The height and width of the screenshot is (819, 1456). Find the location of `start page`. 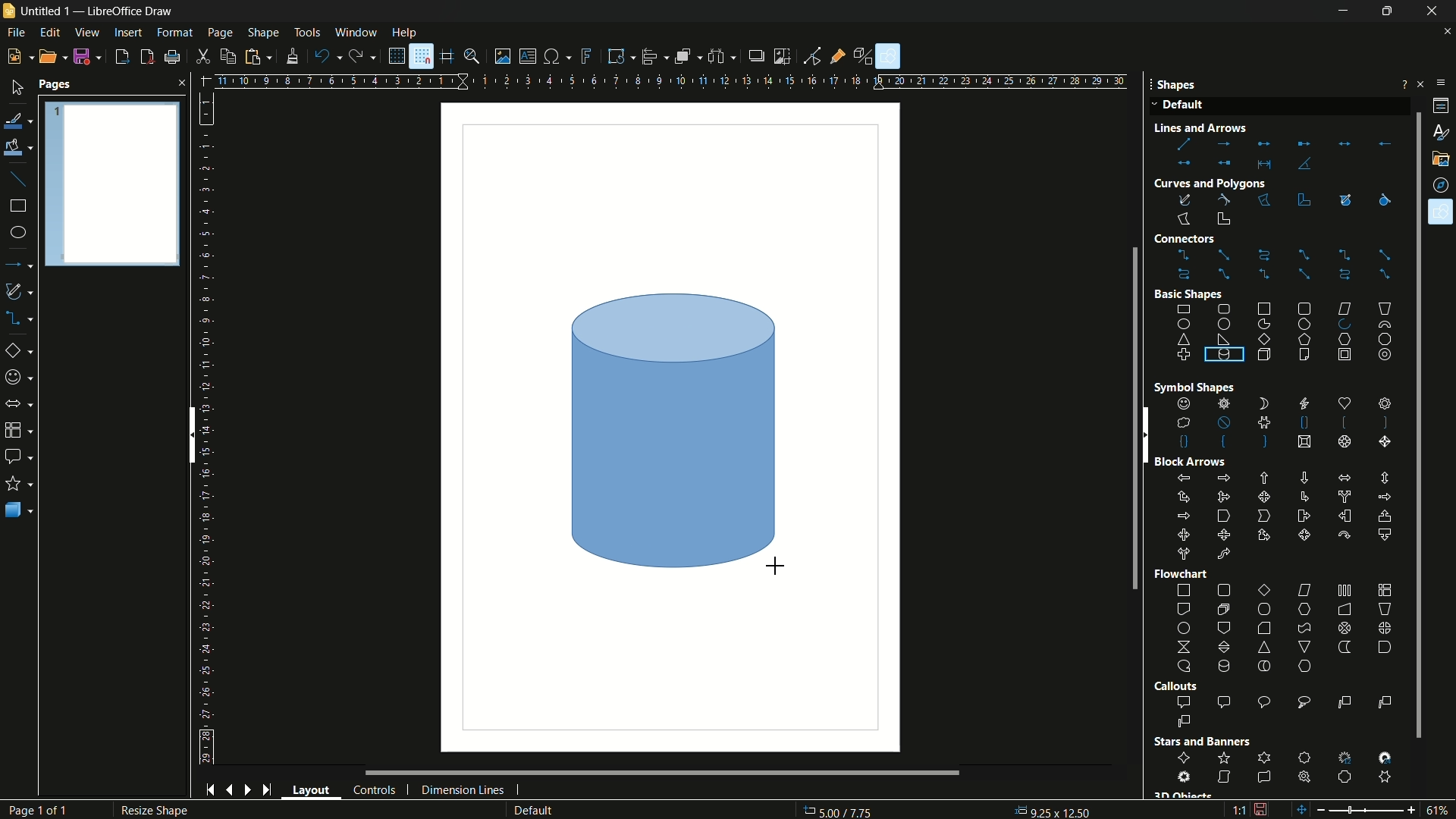

start page is located at coordinates (209, 789).